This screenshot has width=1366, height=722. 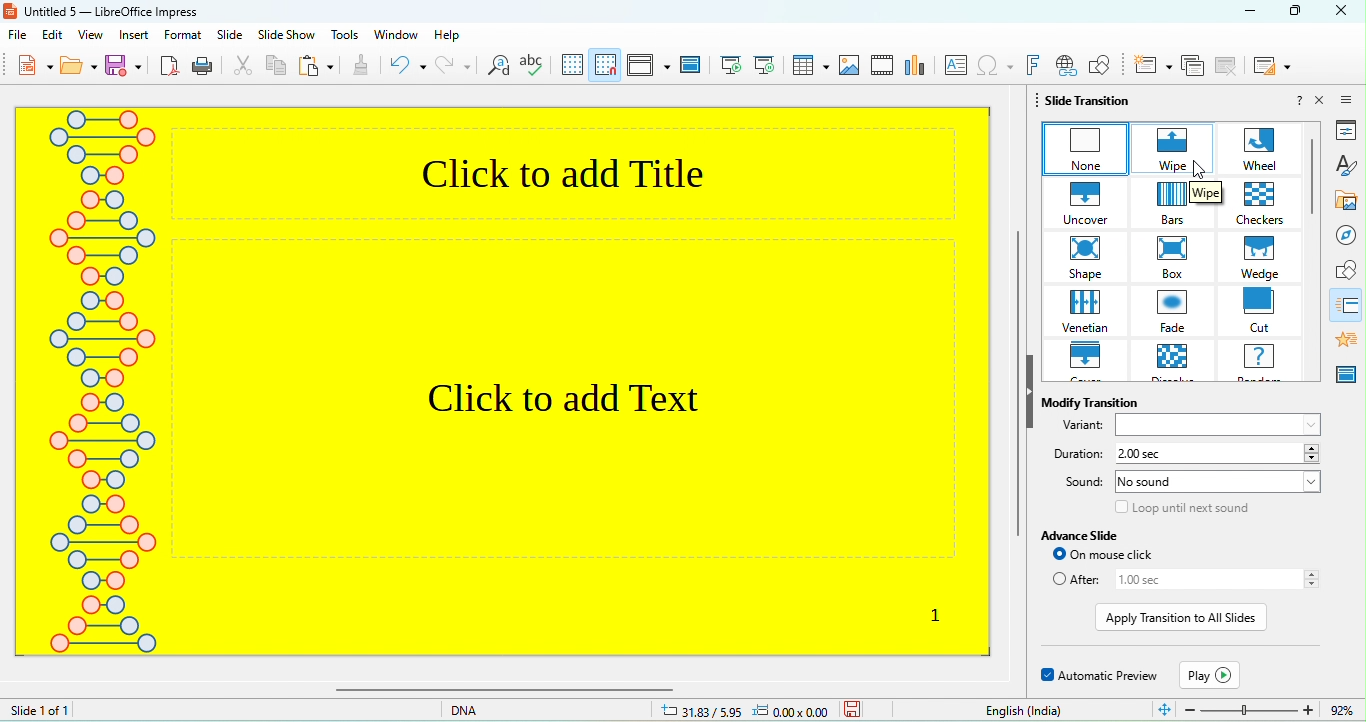 I want to click on on mouse click, so click(x=1126, y=556).